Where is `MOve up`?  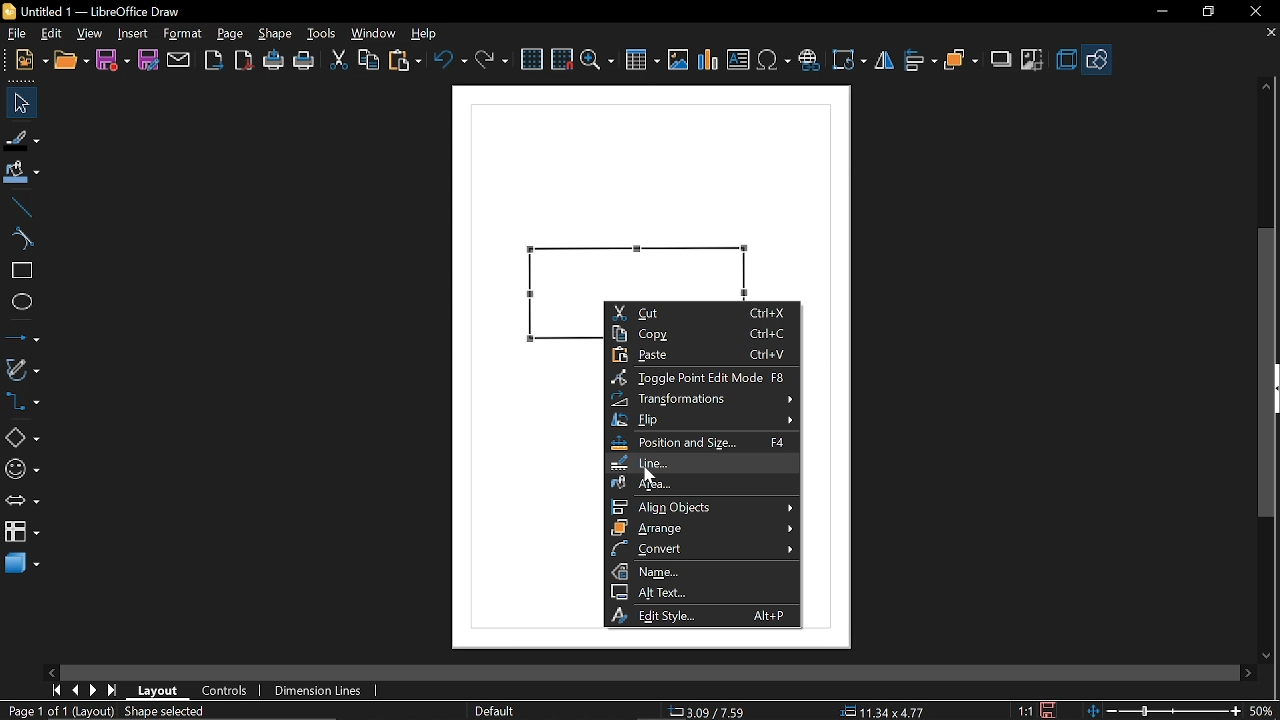 MOve up is located at coordinates (1267, 87).